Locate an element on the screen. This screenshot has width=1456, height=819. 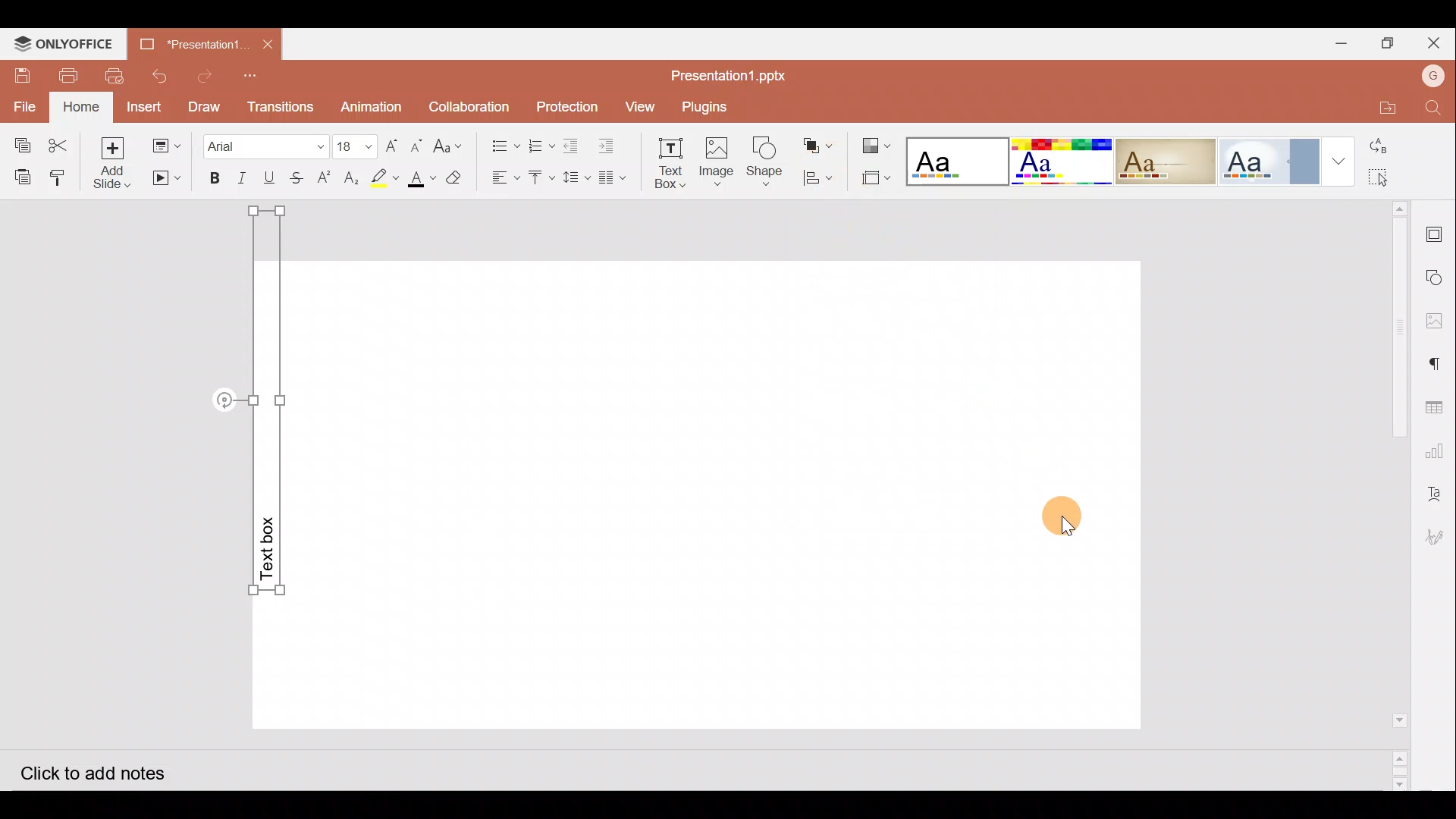
Copy is located at coordinates (19, 141).